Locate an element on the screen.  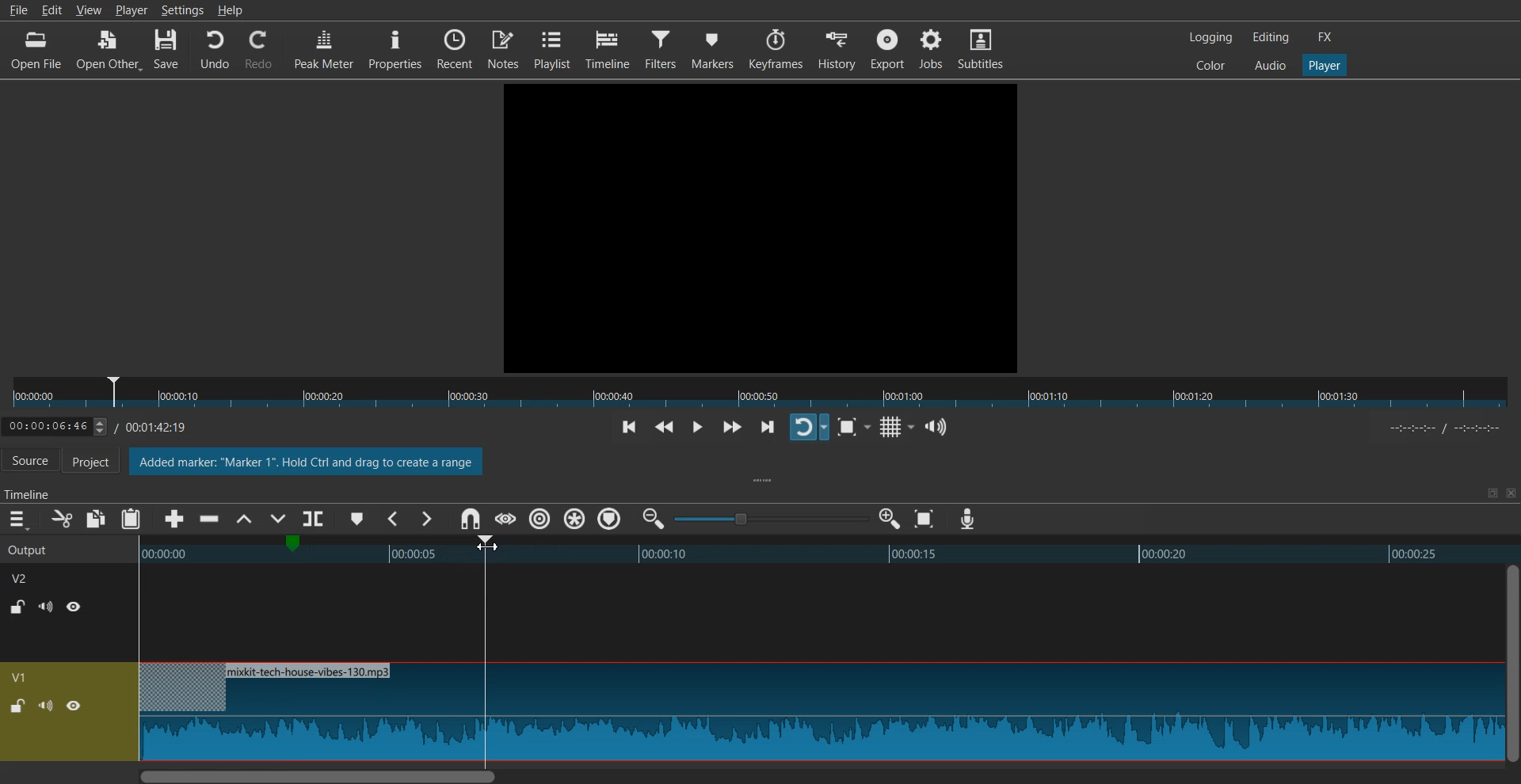
Lock / UnLock is located at coordinates (19, 607).